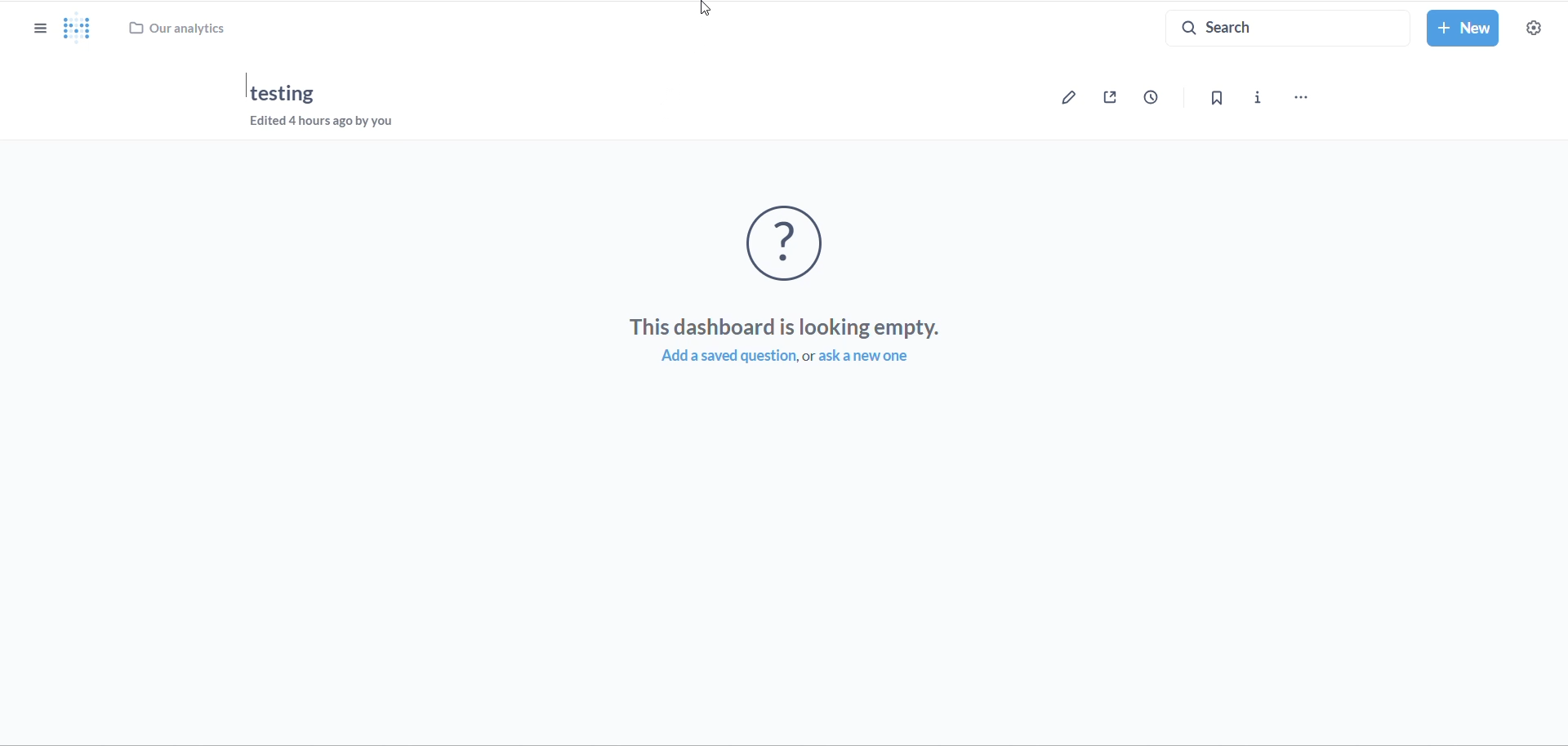 The image size is (1568, 746). I want to click on open in new page, so click(1111, 100).